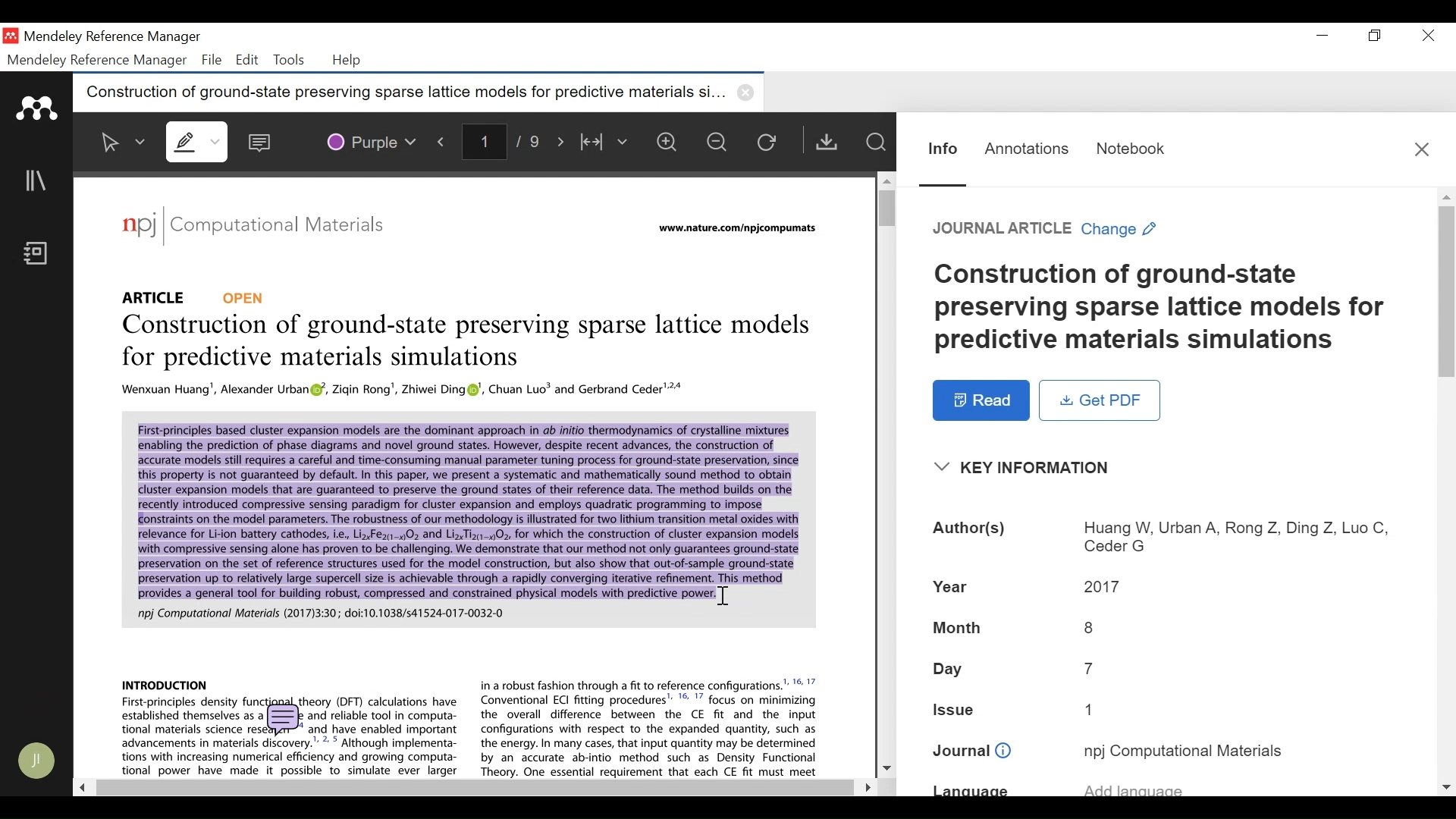 Image resolution: width=1456 pixels, height=819 pixels. Describe the element at coordinates (770, 141) in the screenshot. I see `Reload` at that location.